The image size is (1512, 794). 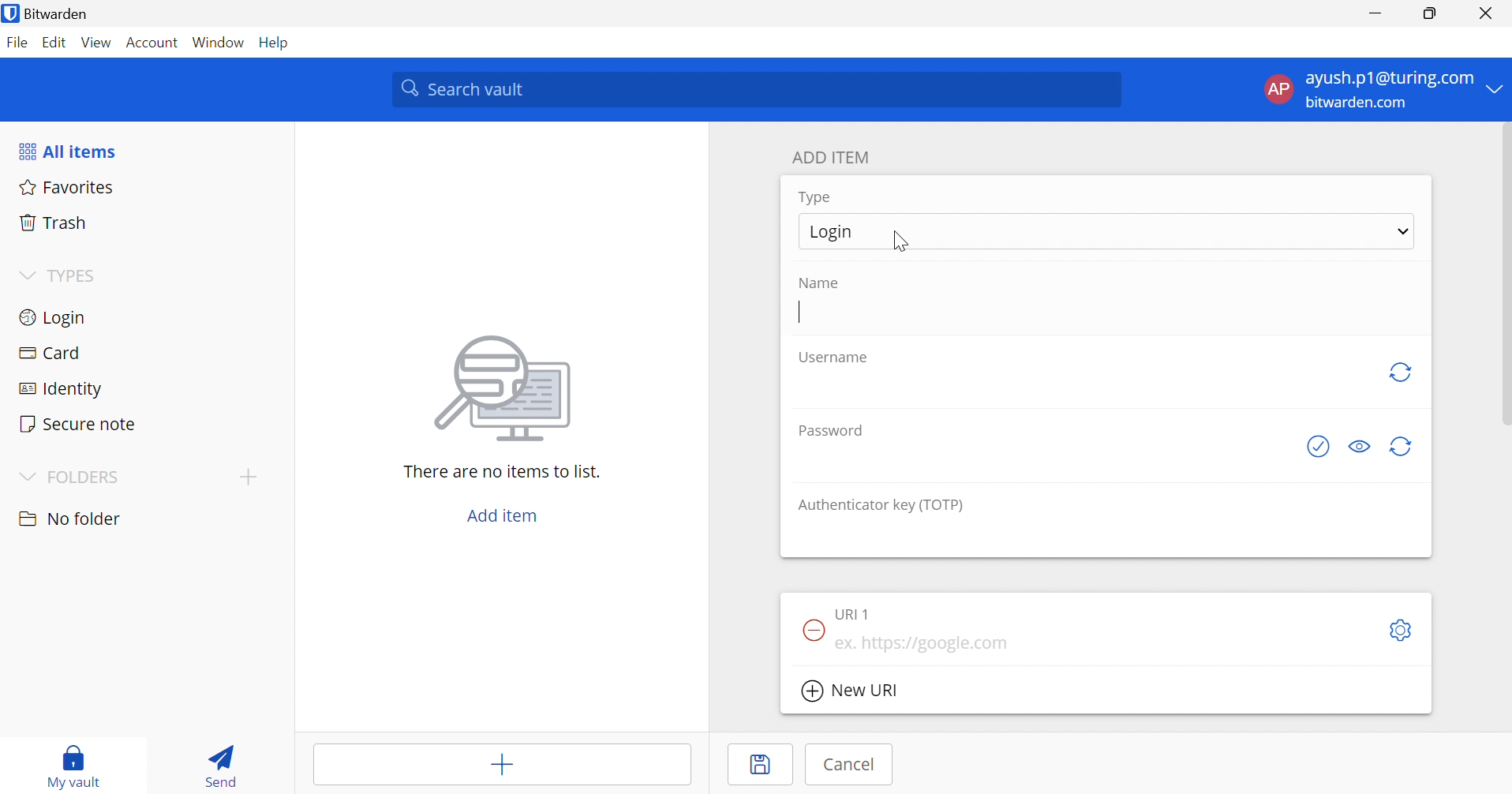 I want to click on Typing Cursor, so click(x=798, y=313).